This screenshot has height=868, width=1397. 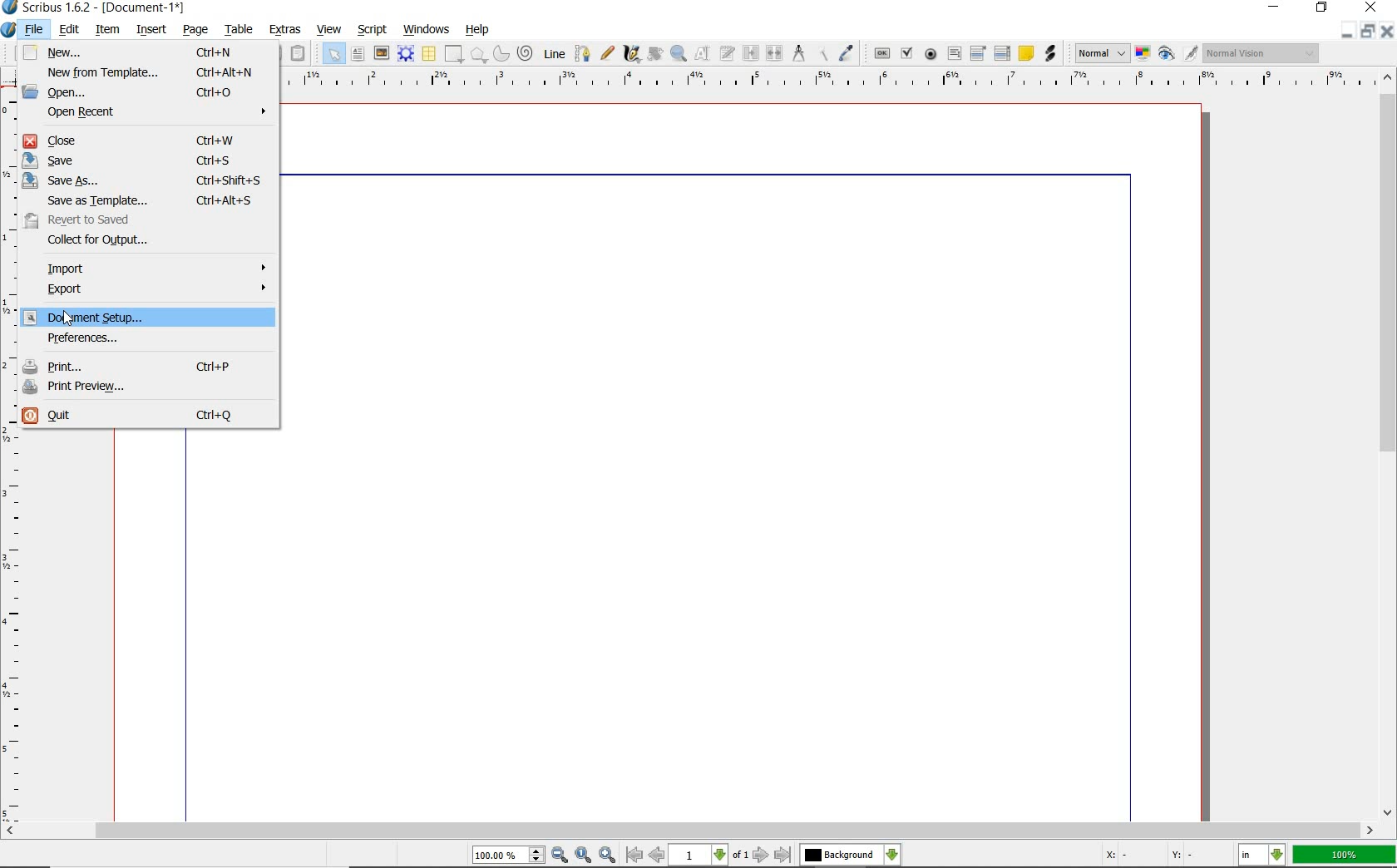 What do you see at coordinates (137, 220) in the screenshot?
I see `REVERT TO SAVED` at bounding box center [137, 220].